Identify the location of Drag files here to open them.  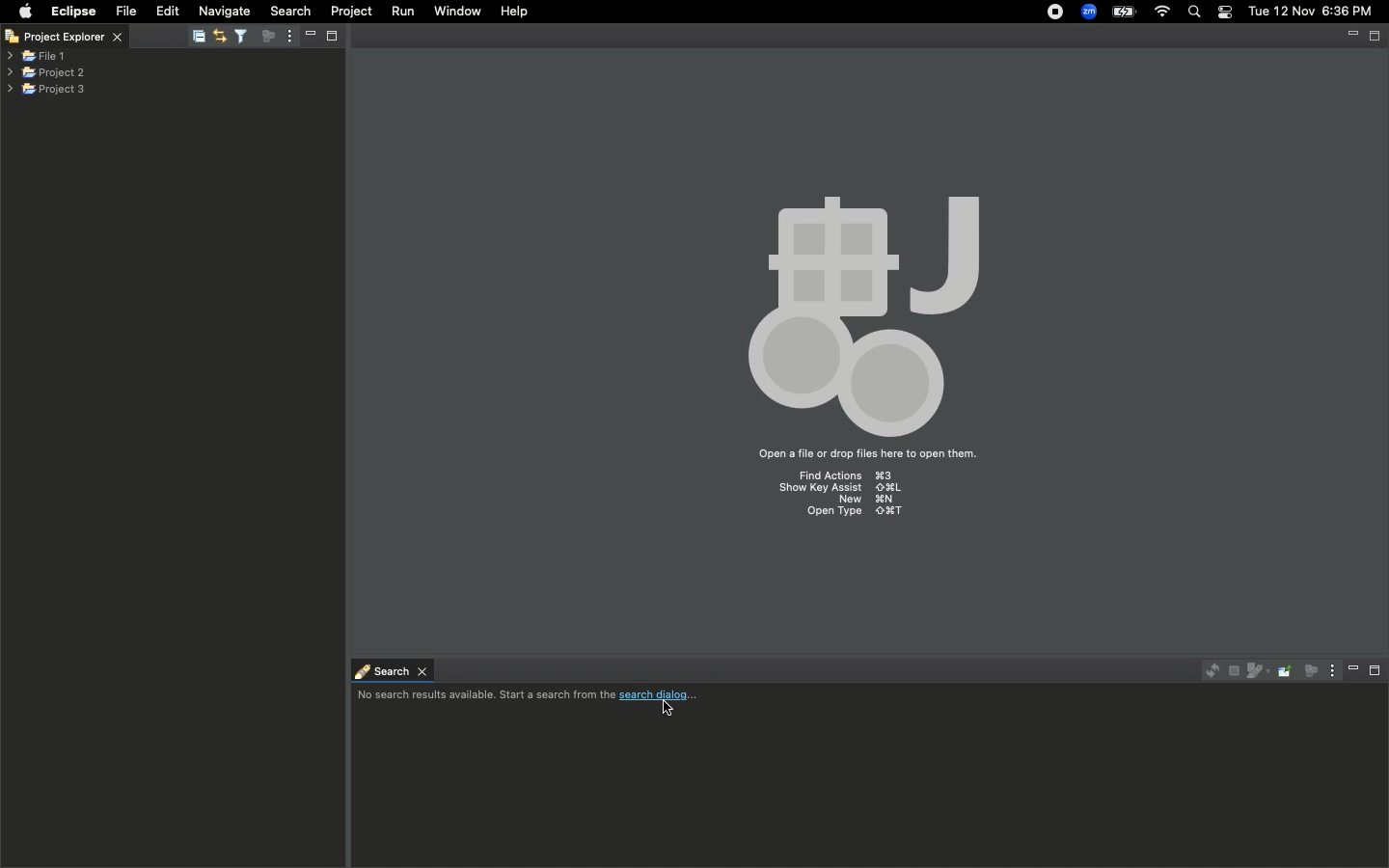
(865, 454).